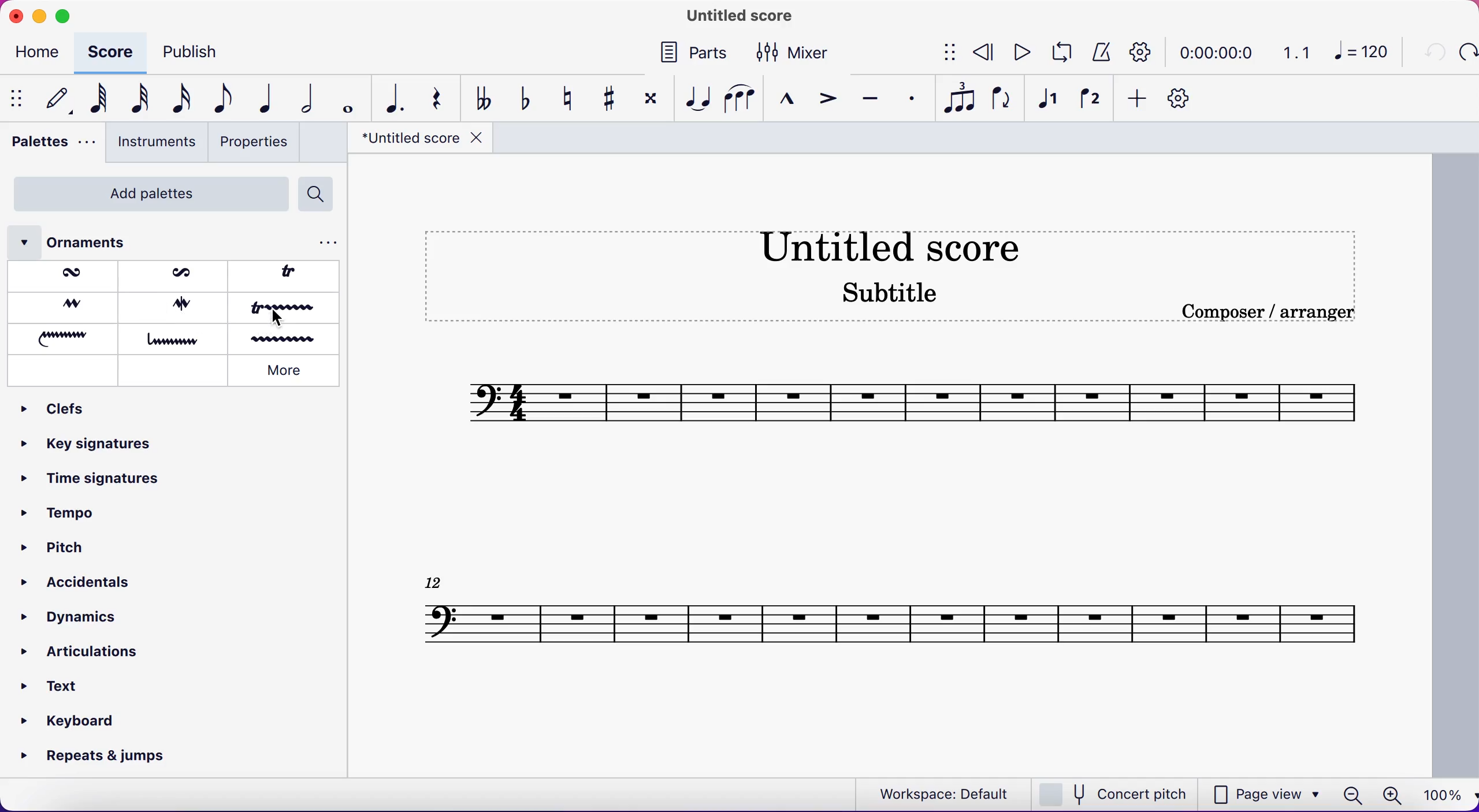 This screenshot has height=812, width=1479. What do you see at coordinates (65, 337) in the screenshot?
I see `glissando (ascending)` at bounding box center [65, 337].